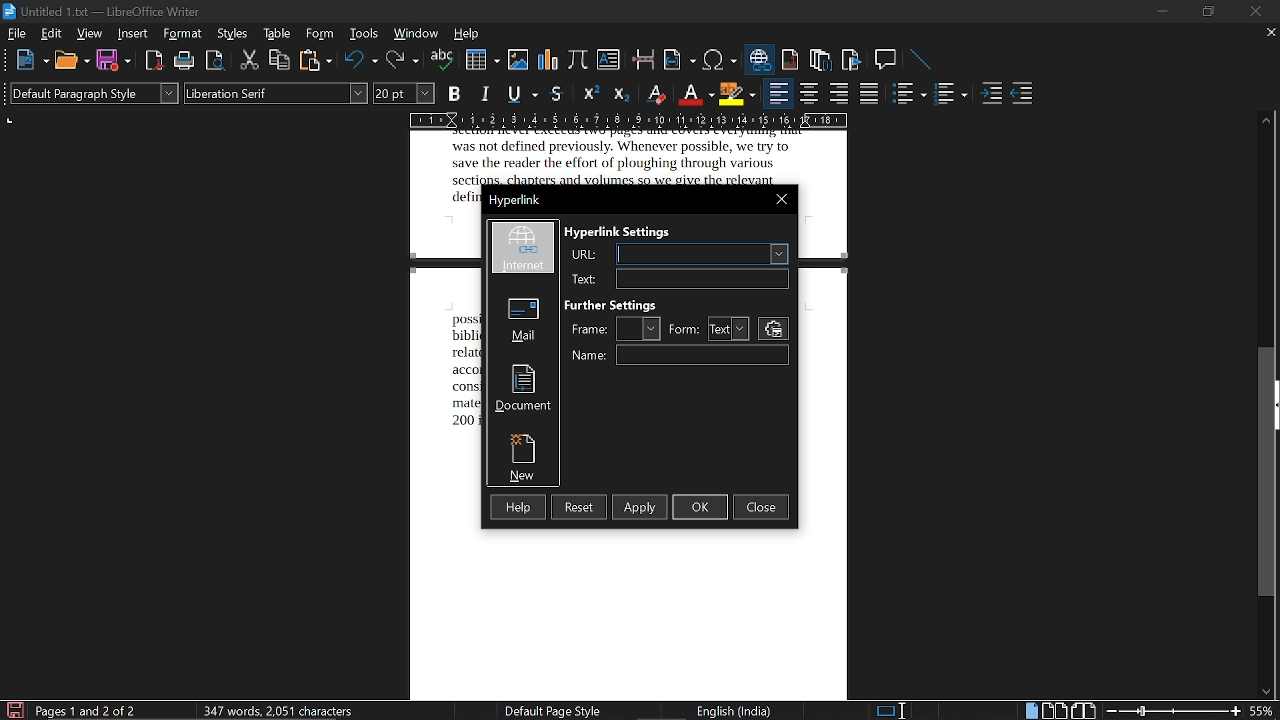 The image size is (1280, 720). What do you see at coordinates (641, 328) in the screenshot?
I see `frame` at bounding box center [641, 328].